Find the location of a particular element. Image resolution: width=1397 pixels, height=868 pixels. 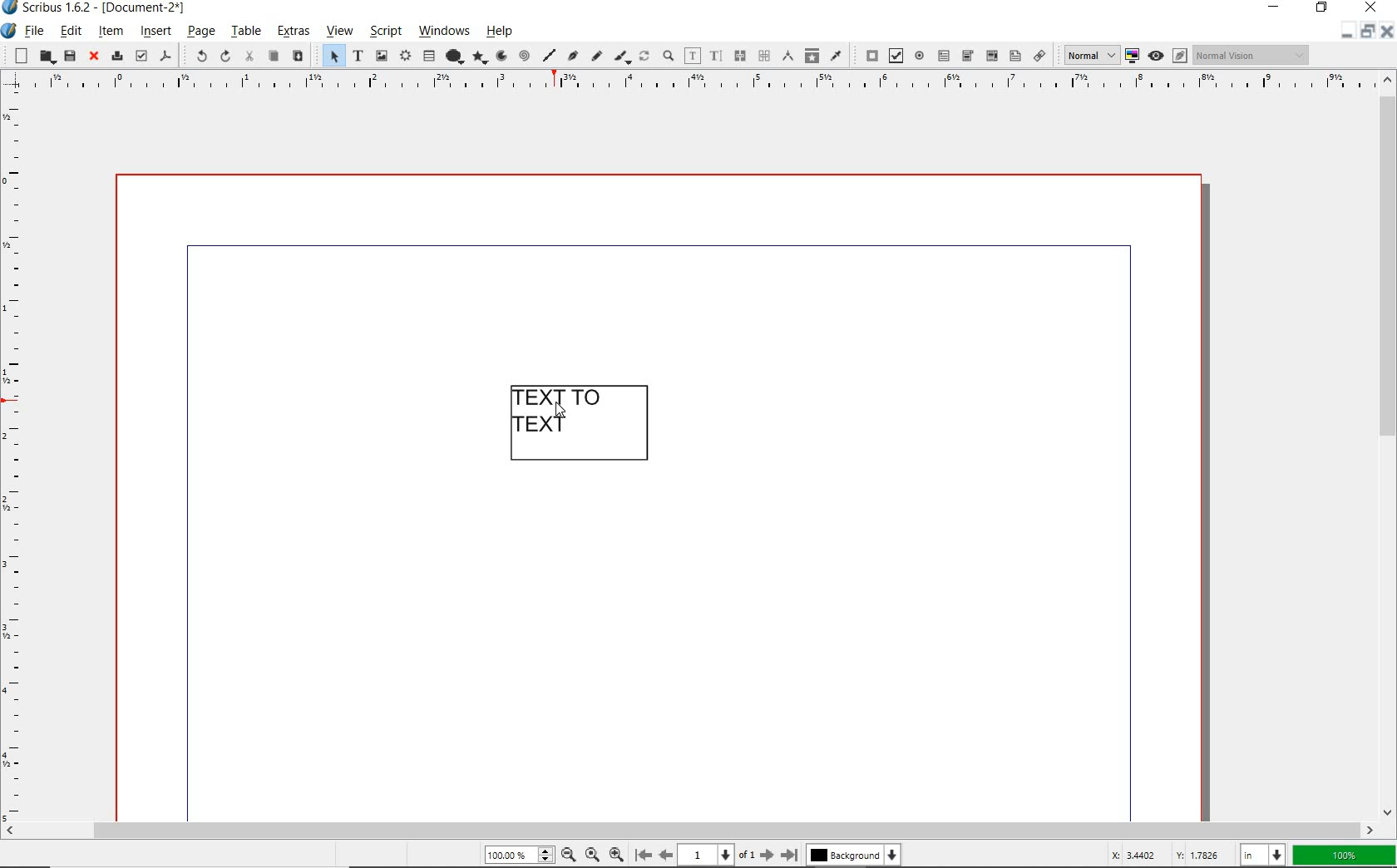

preview mode is located at coordinates (1168, 56).